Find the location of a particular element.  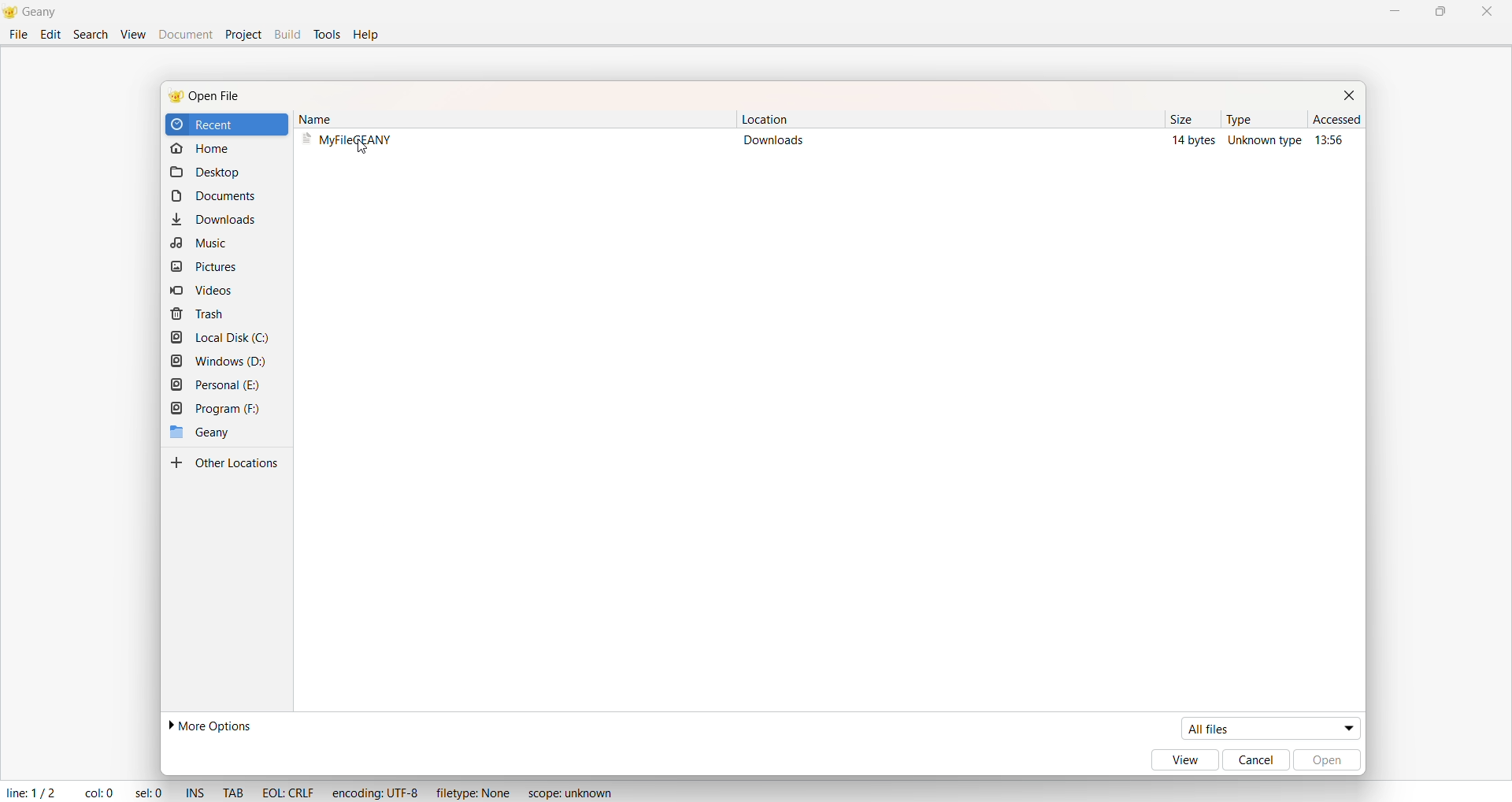

help is located at coordinates (370, 35).